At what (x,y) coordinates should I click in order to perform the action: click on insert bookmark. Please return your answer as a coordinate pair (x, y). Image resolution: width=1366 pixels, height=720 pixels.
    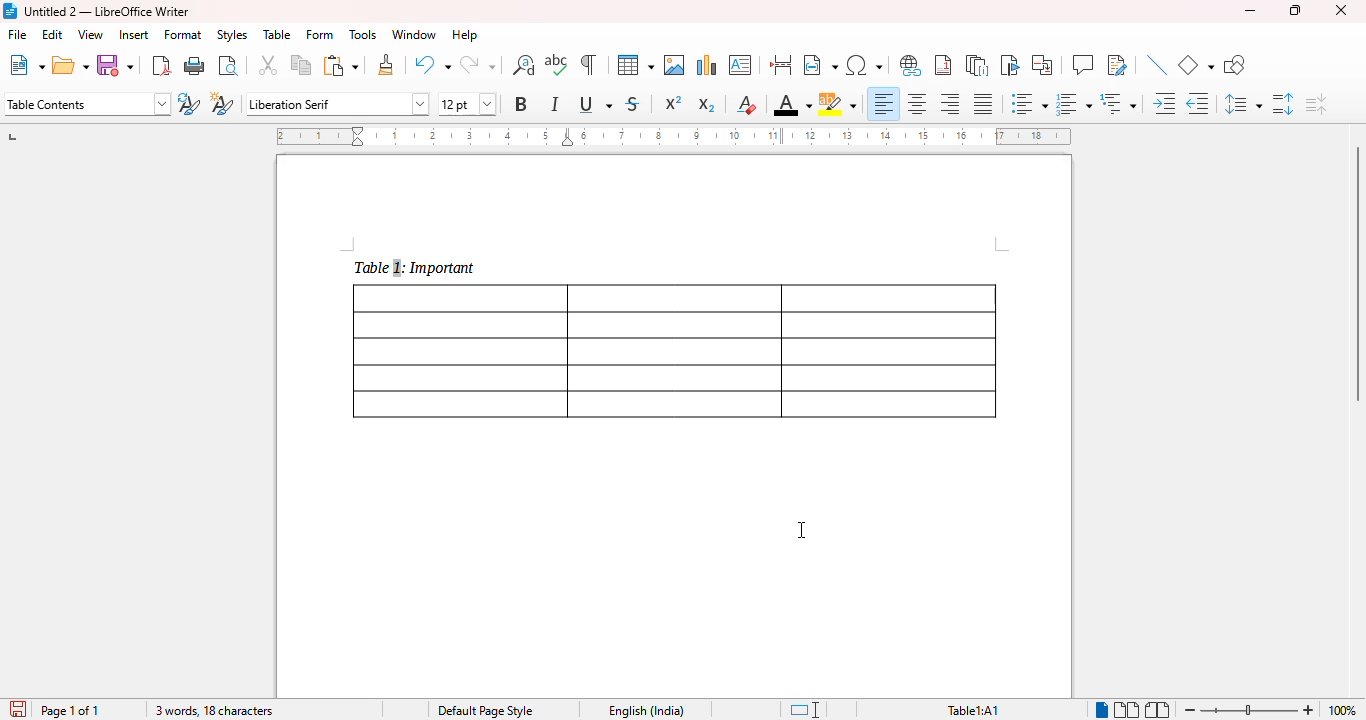
    Looking at the image, I should click on (1011, 65).